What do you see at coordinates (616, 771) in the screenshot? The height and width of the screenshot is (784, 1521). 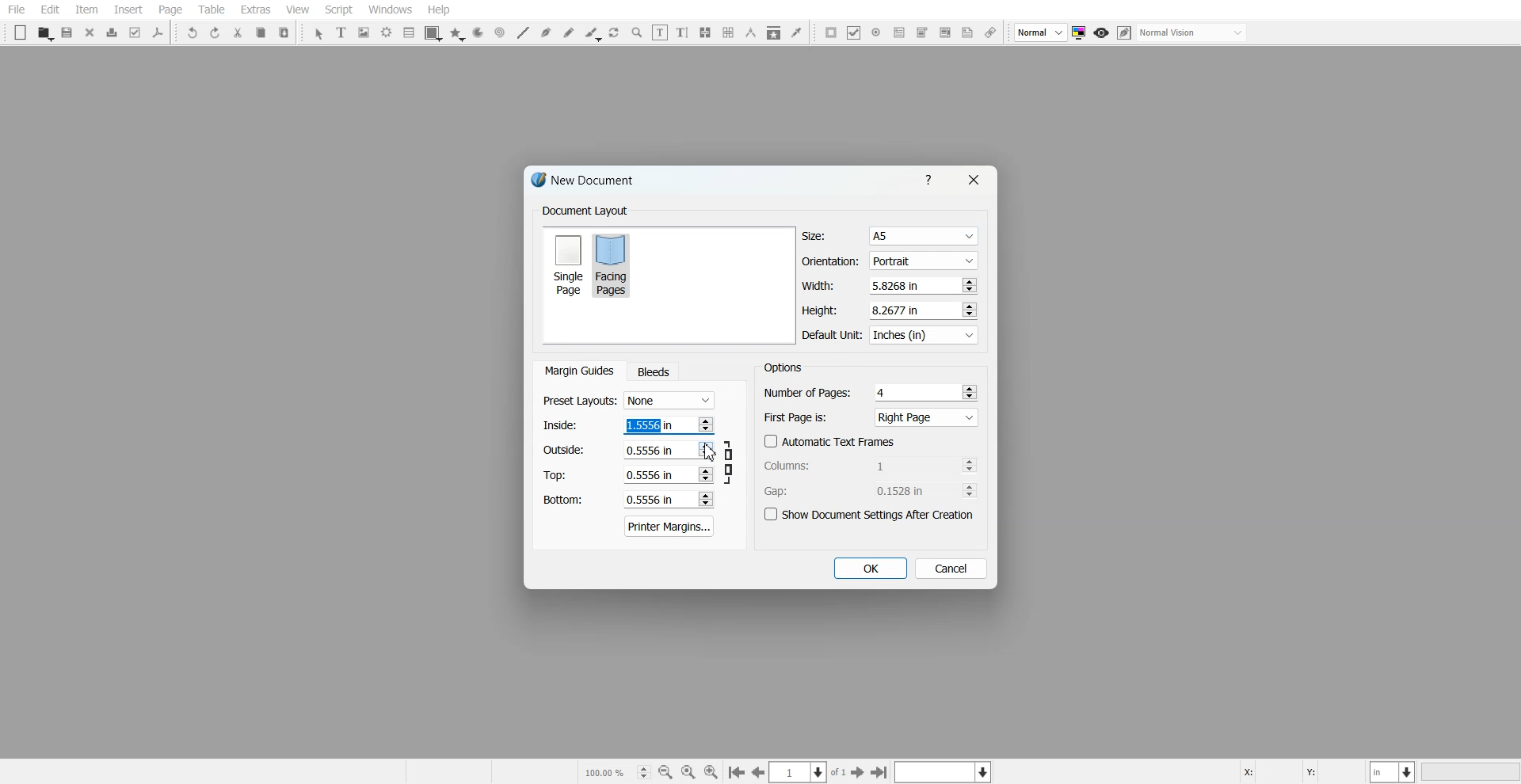 I see `Select current zoom` at bounding box center [616, 771].